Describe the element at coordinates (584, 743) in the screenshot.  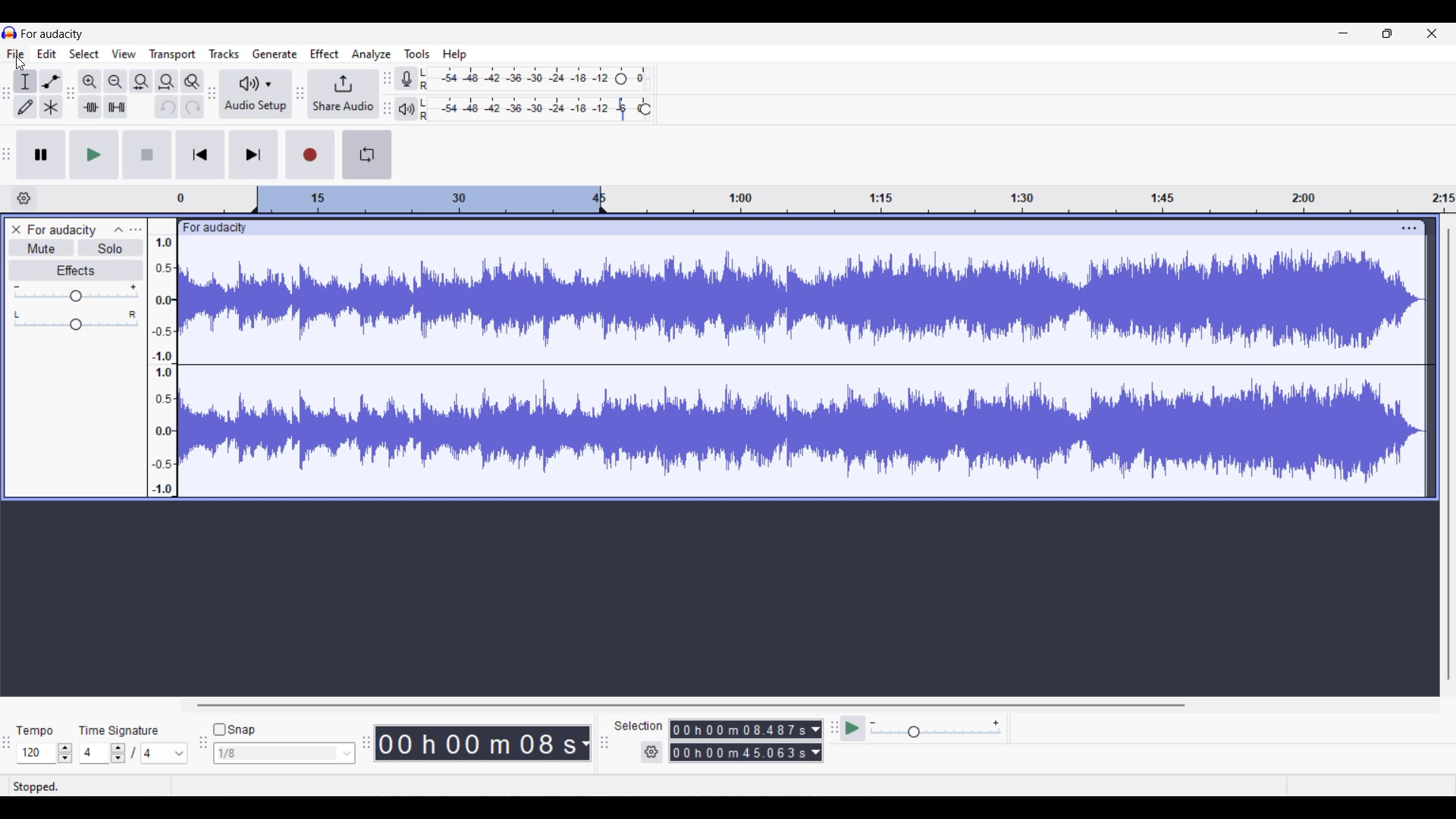
I see `Track measurement ` at that location.